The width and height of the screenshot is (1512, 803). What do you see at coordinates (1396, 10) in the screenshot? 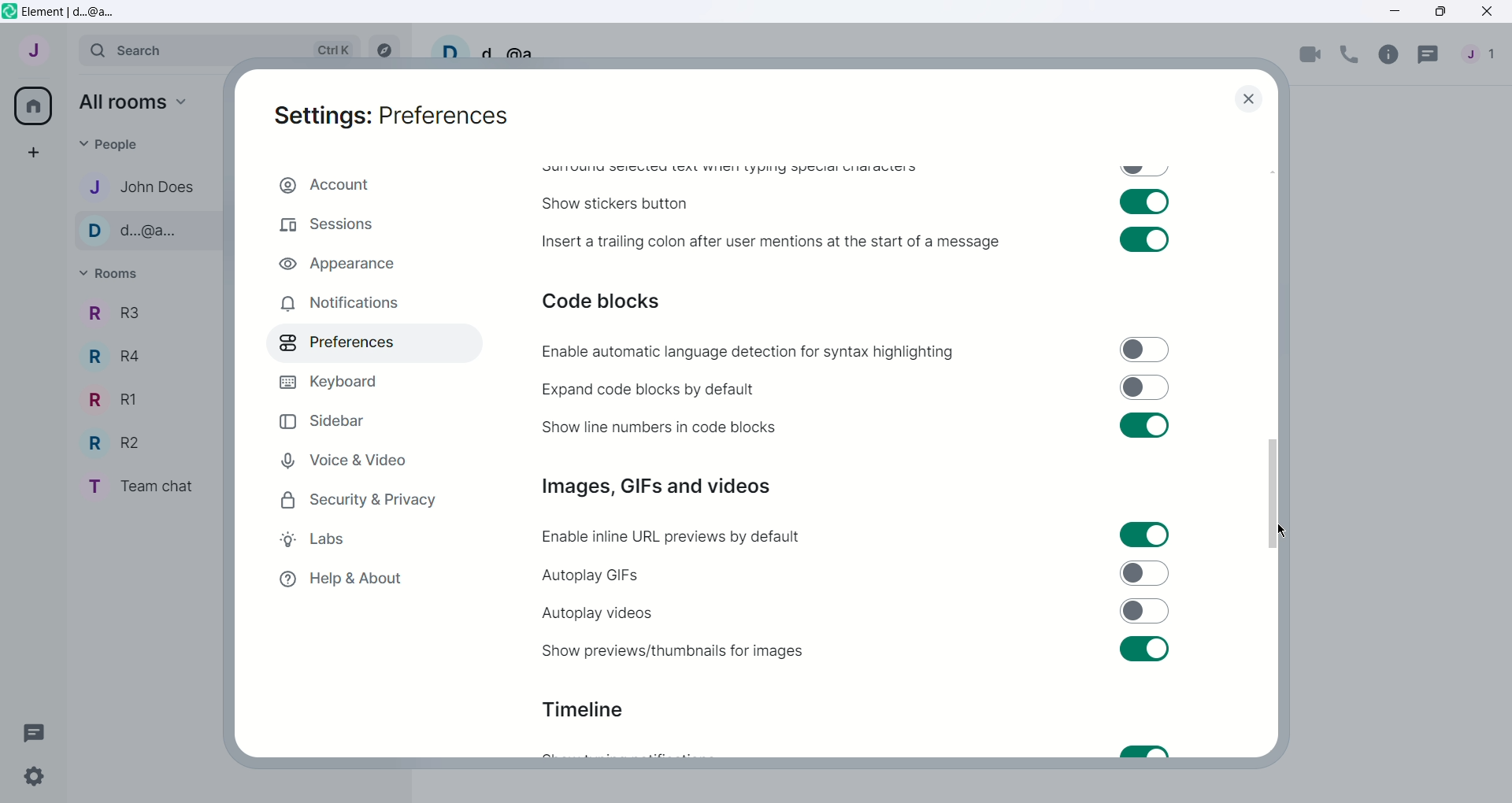
I see `Minimize` at bounding box center [1396, 10].